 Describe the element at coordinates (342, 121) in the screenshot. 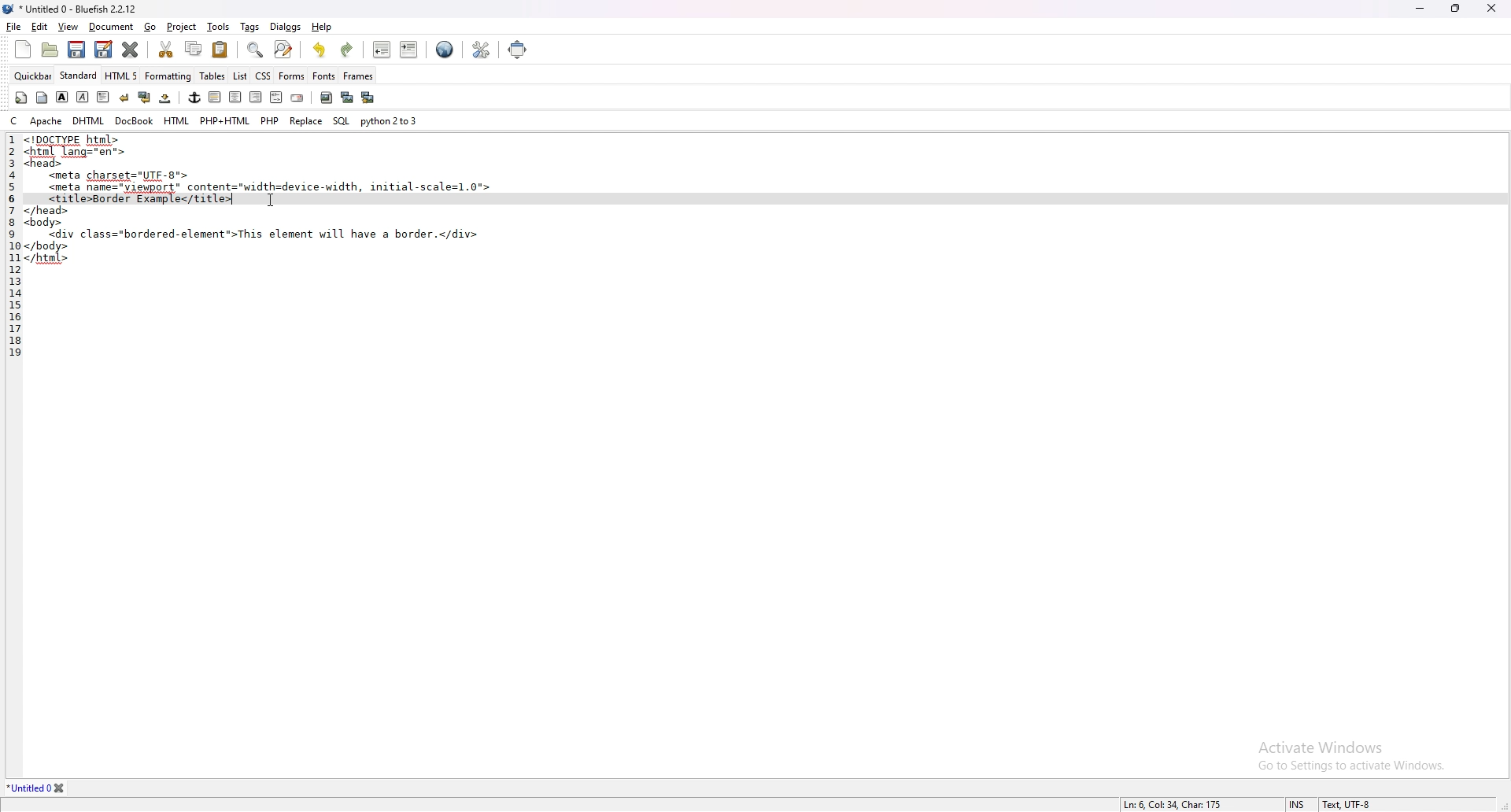

I see `sql` at that location.